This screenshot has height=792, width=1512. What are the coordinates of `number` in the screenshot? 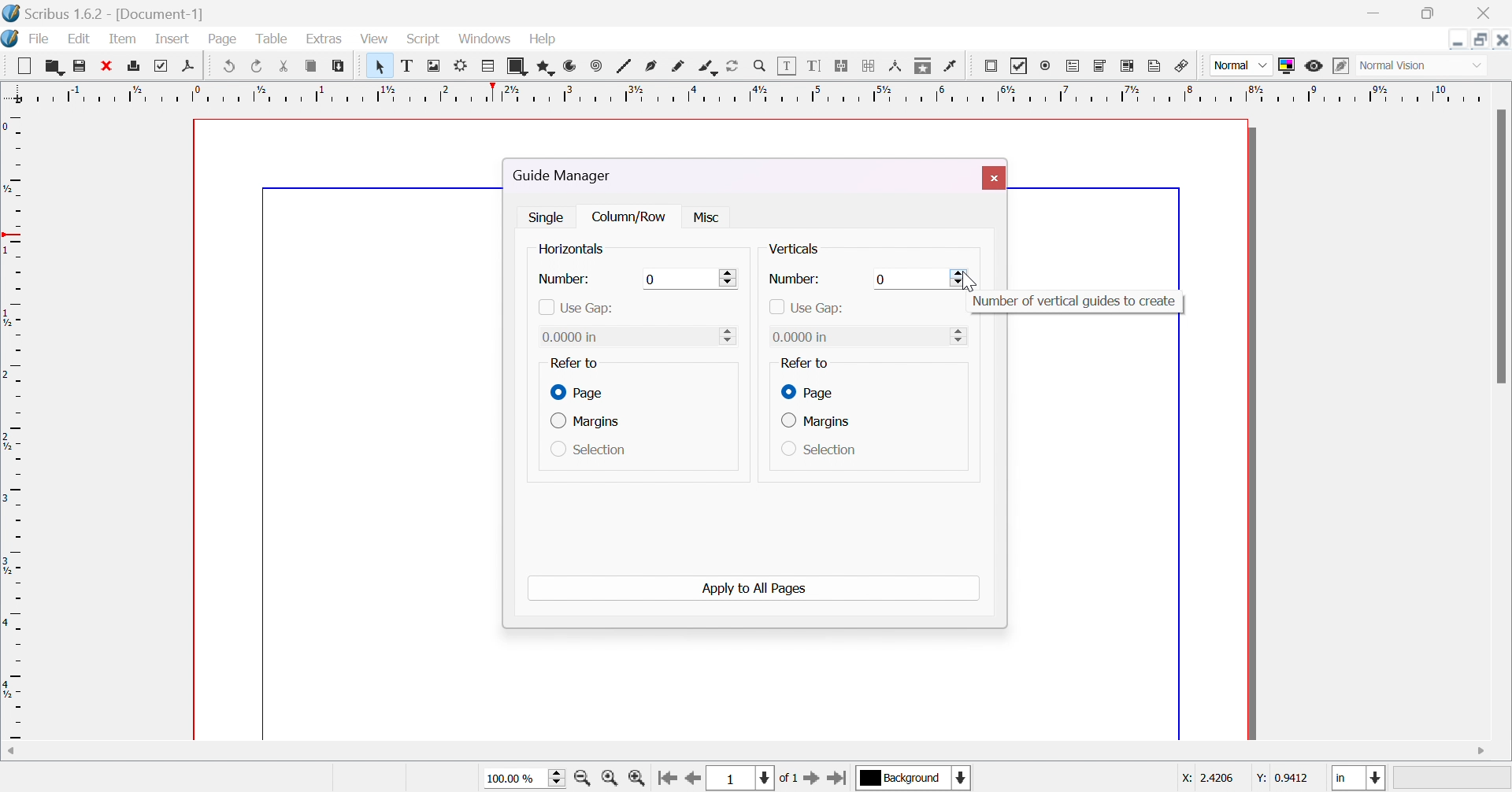 It's located at (794, 279).